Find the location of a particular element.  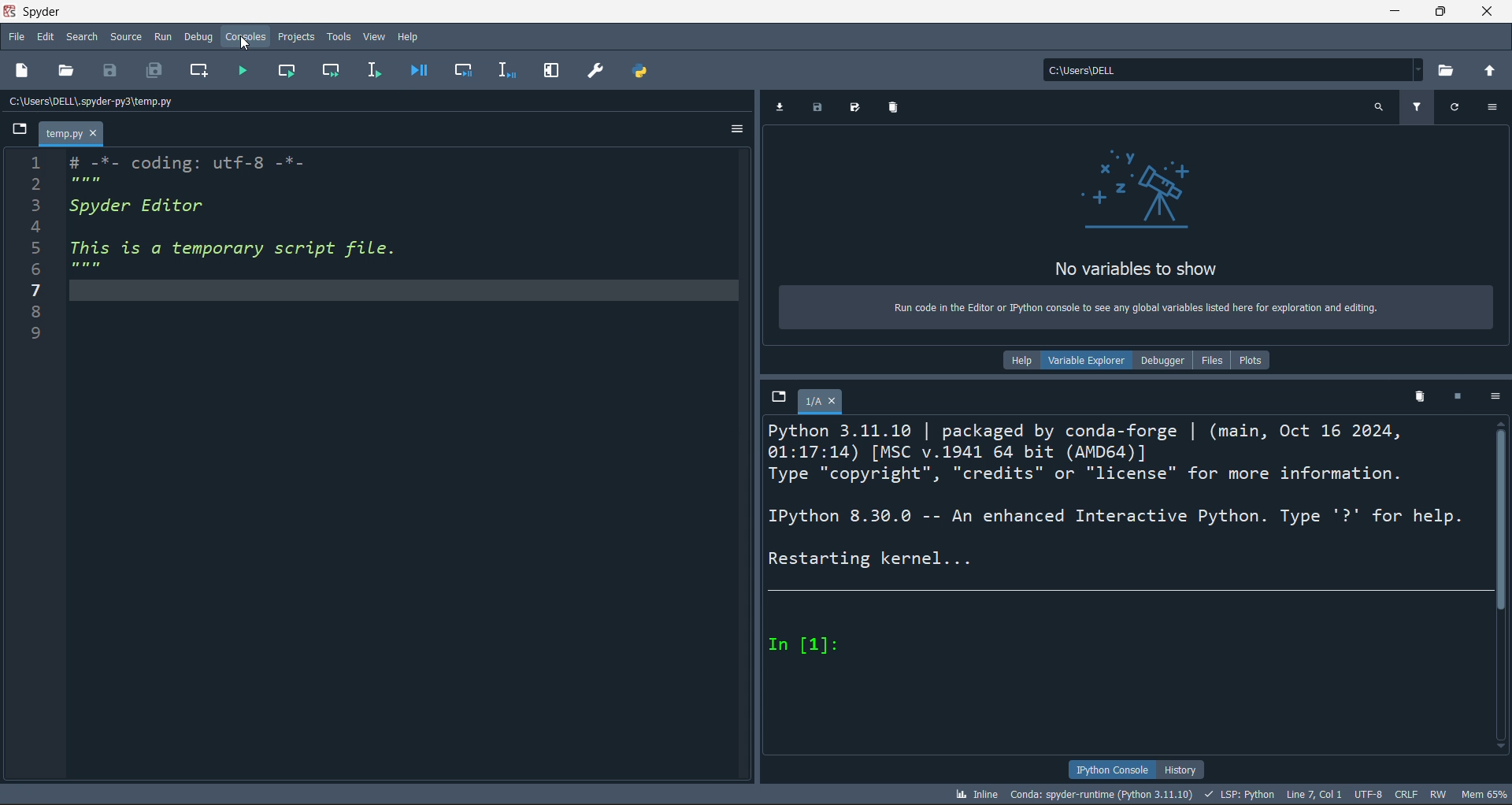

tools is located at coordinates (338, 36).